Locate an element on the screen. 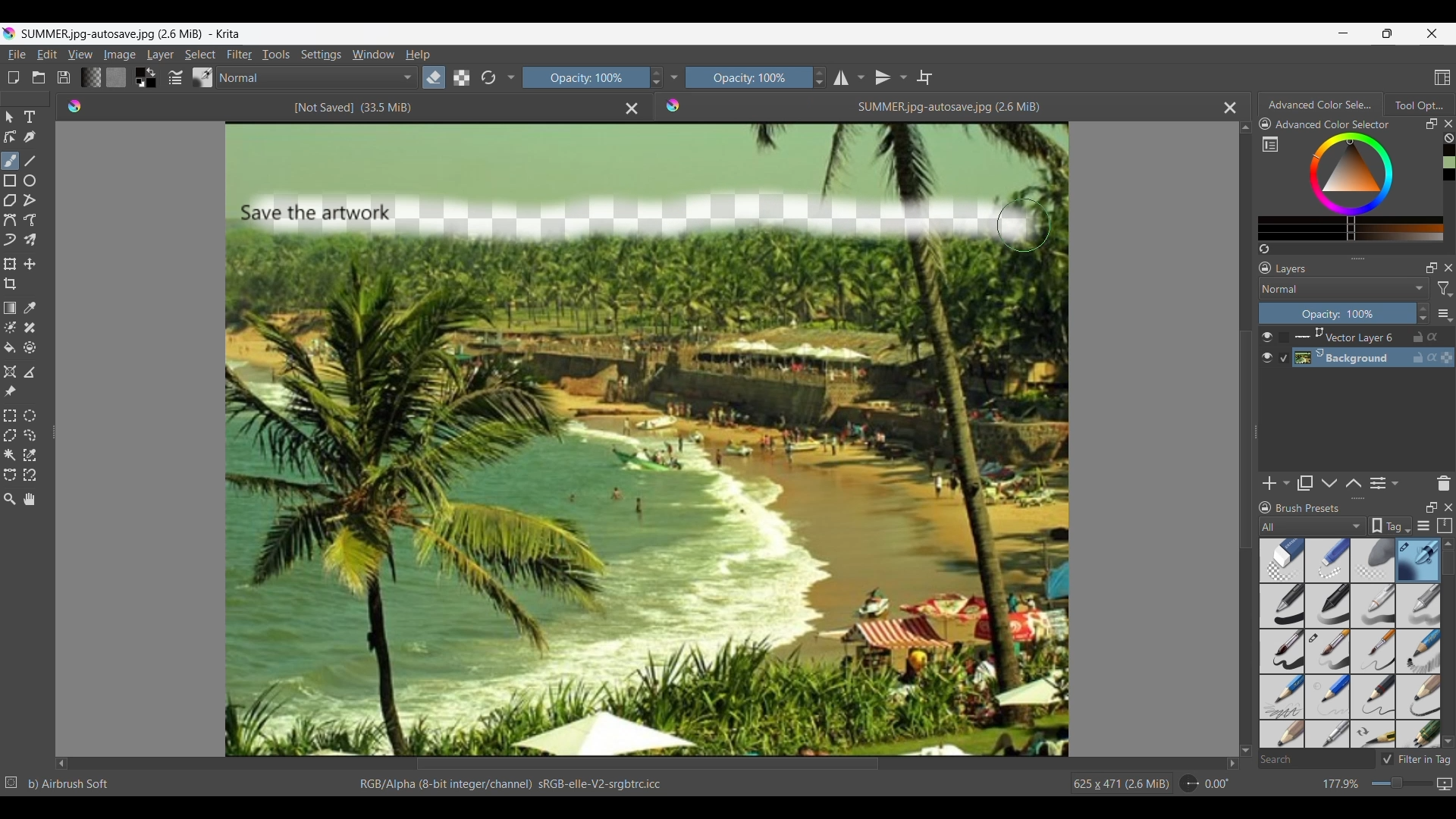 This screenshot has width=1456, height=819. Vector layer 6 is located at coordinates (1374, 337).